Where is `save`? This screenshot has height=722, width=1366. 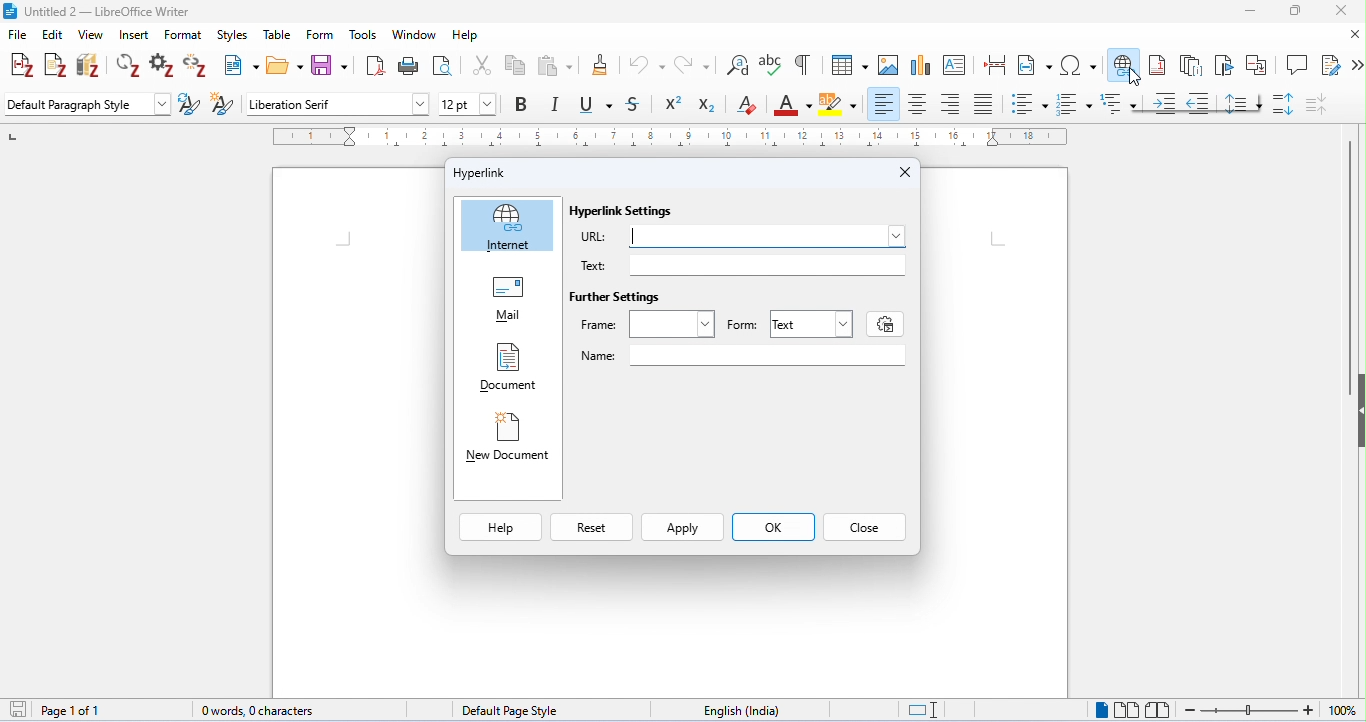
save is located at coordinates (21, 710).